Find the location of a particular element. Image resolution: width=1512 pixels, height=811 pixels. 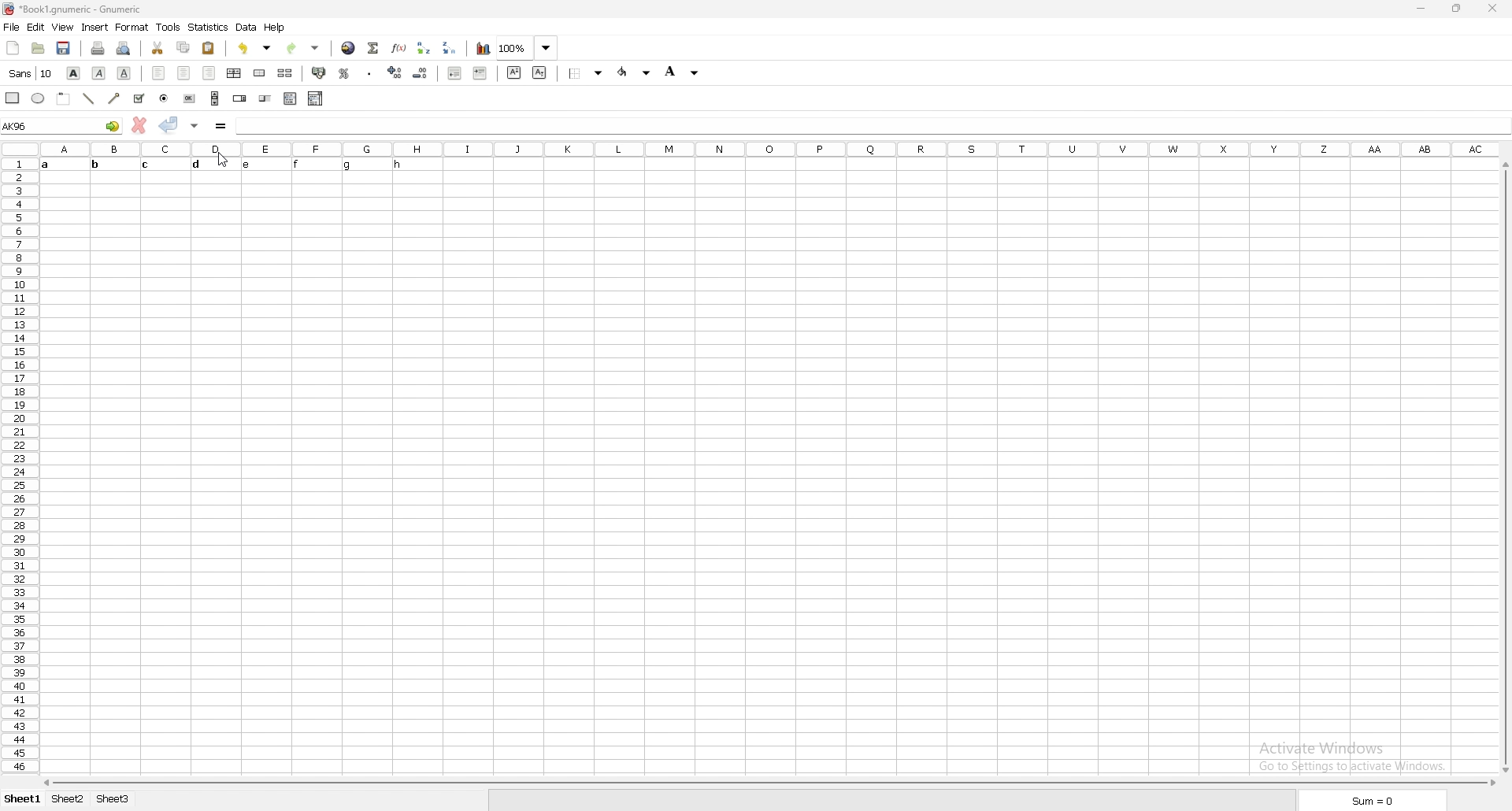

cancel changes is located at coordinates (139, 124).